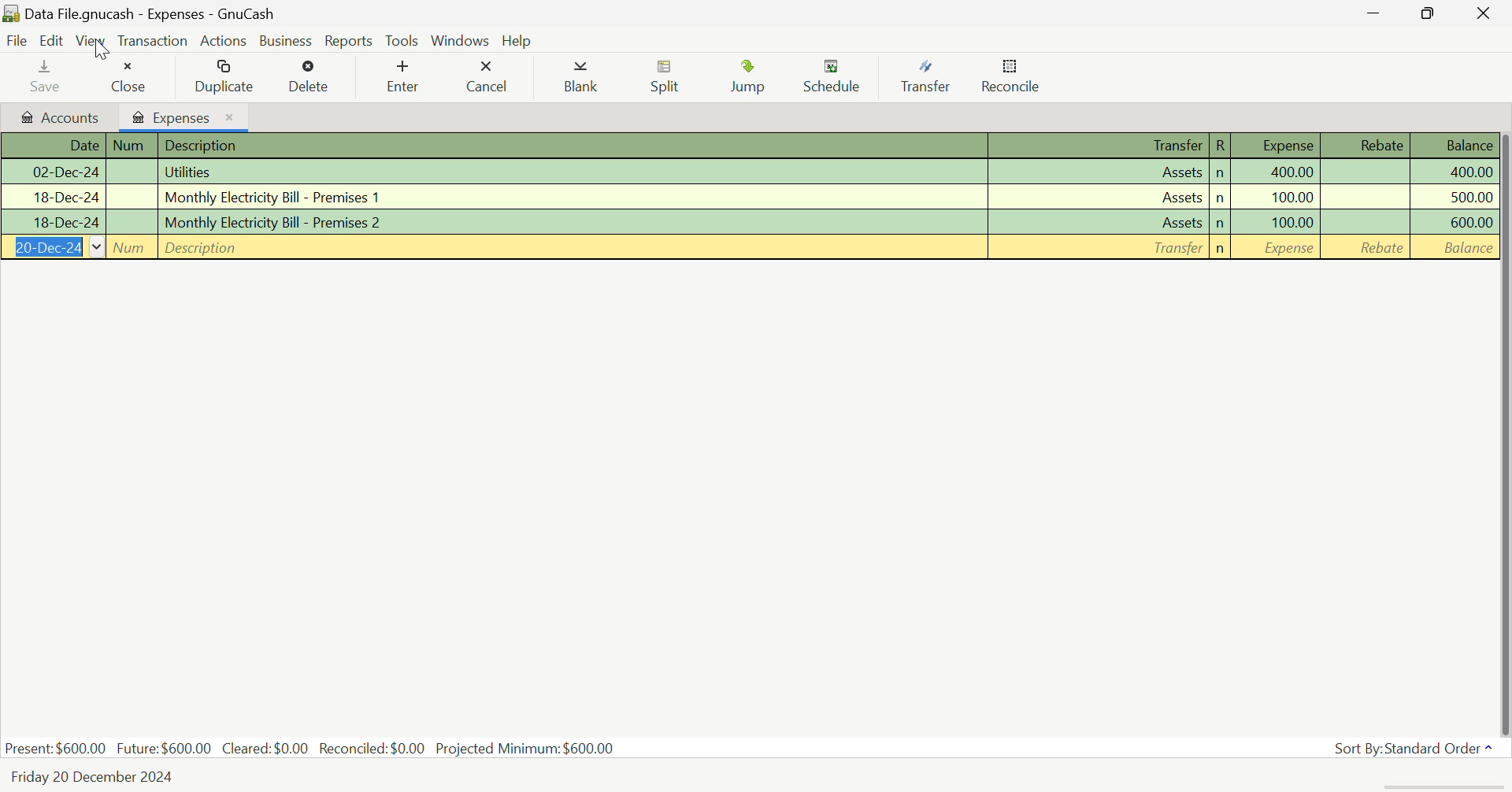 The height and width of the screenshot is (792, 1512). I want to click on Date, so click(53, 146).